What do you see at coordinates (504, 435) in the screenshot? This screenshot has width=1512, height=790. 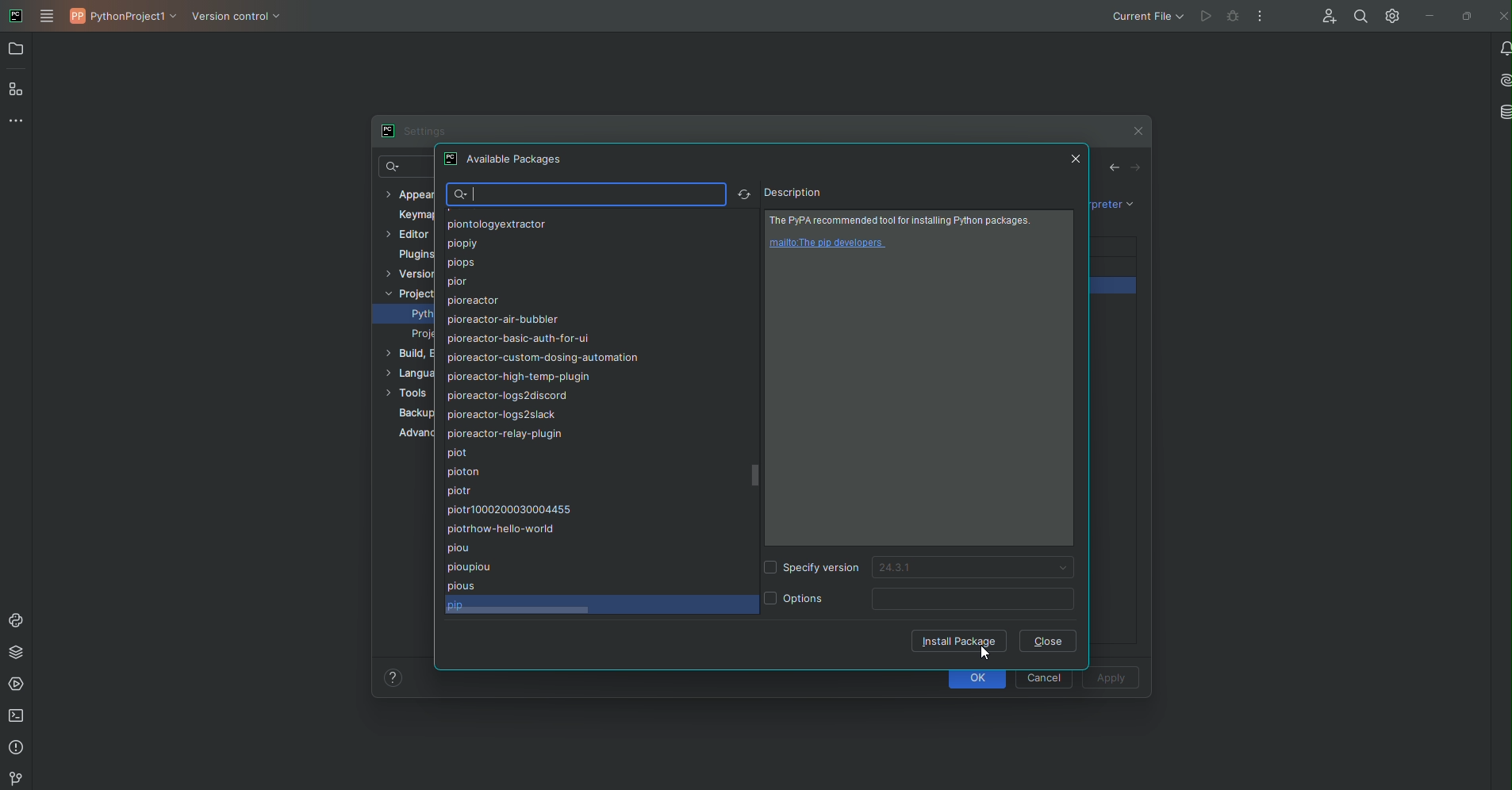 I see `pioreactor-relay-plugin` at bounding box center [504, 435].